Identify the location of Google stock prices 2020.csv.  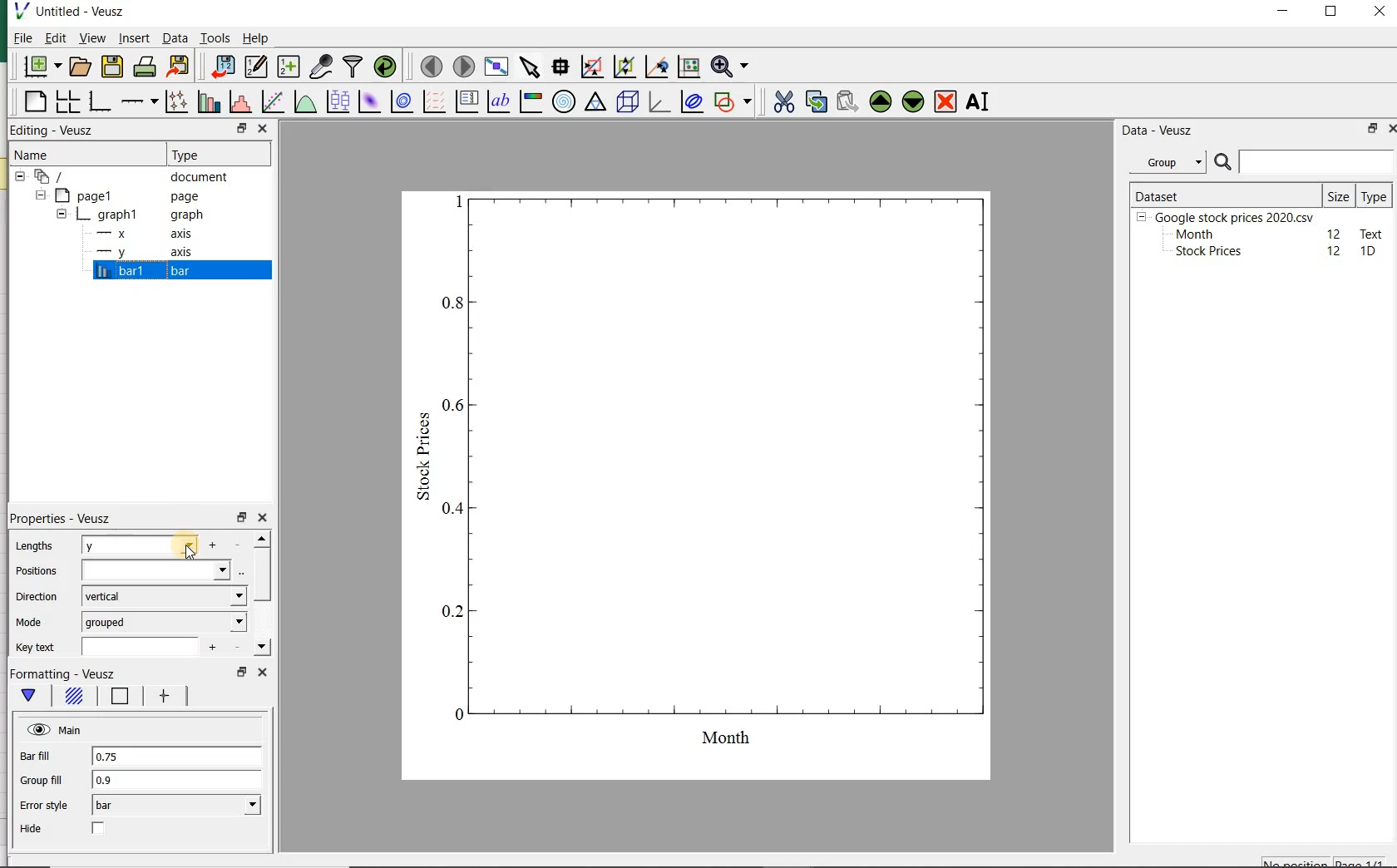
(1228, 216).